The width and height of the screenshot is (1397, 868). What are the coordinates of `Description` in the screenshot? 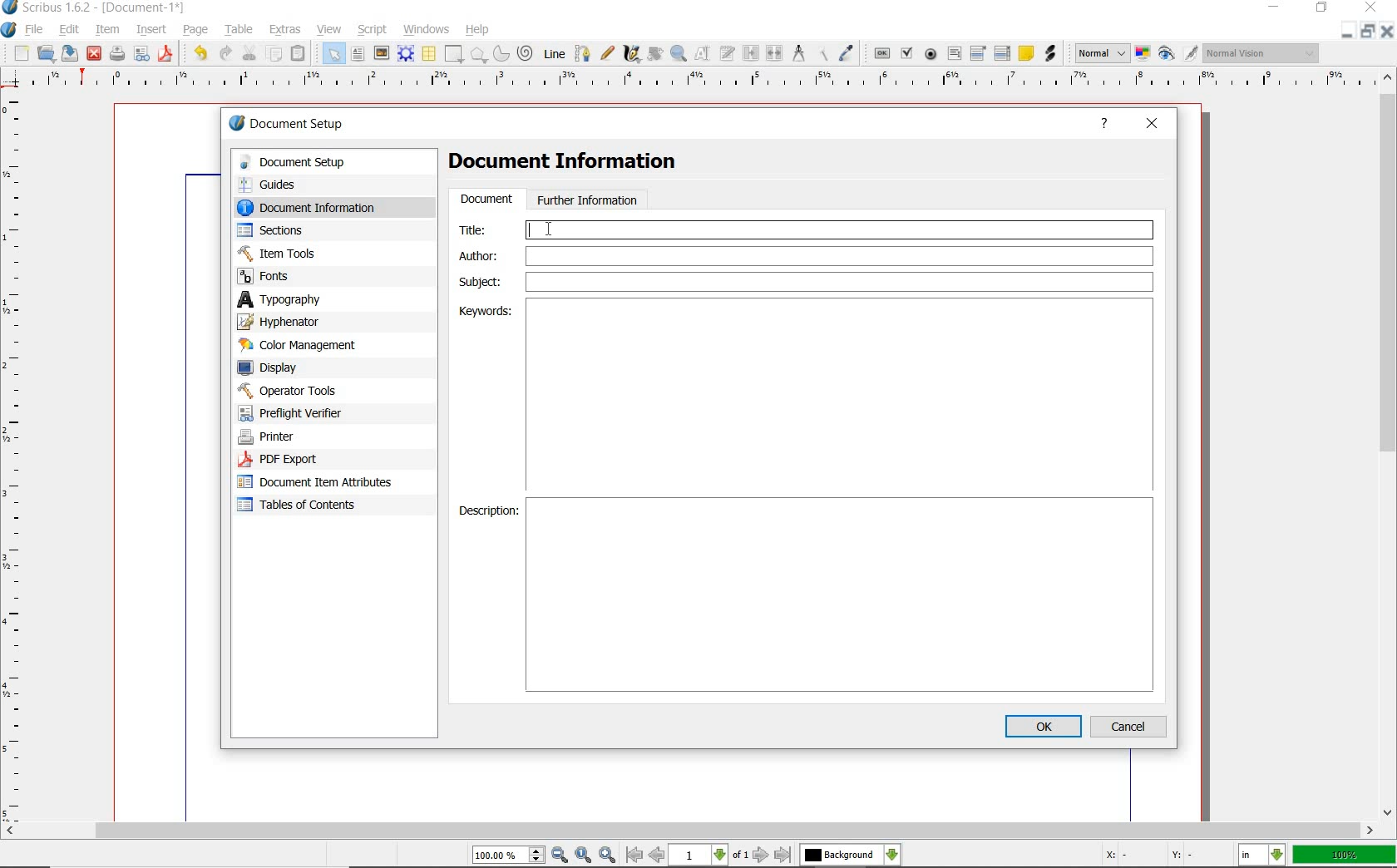 It's located at (486, 511).